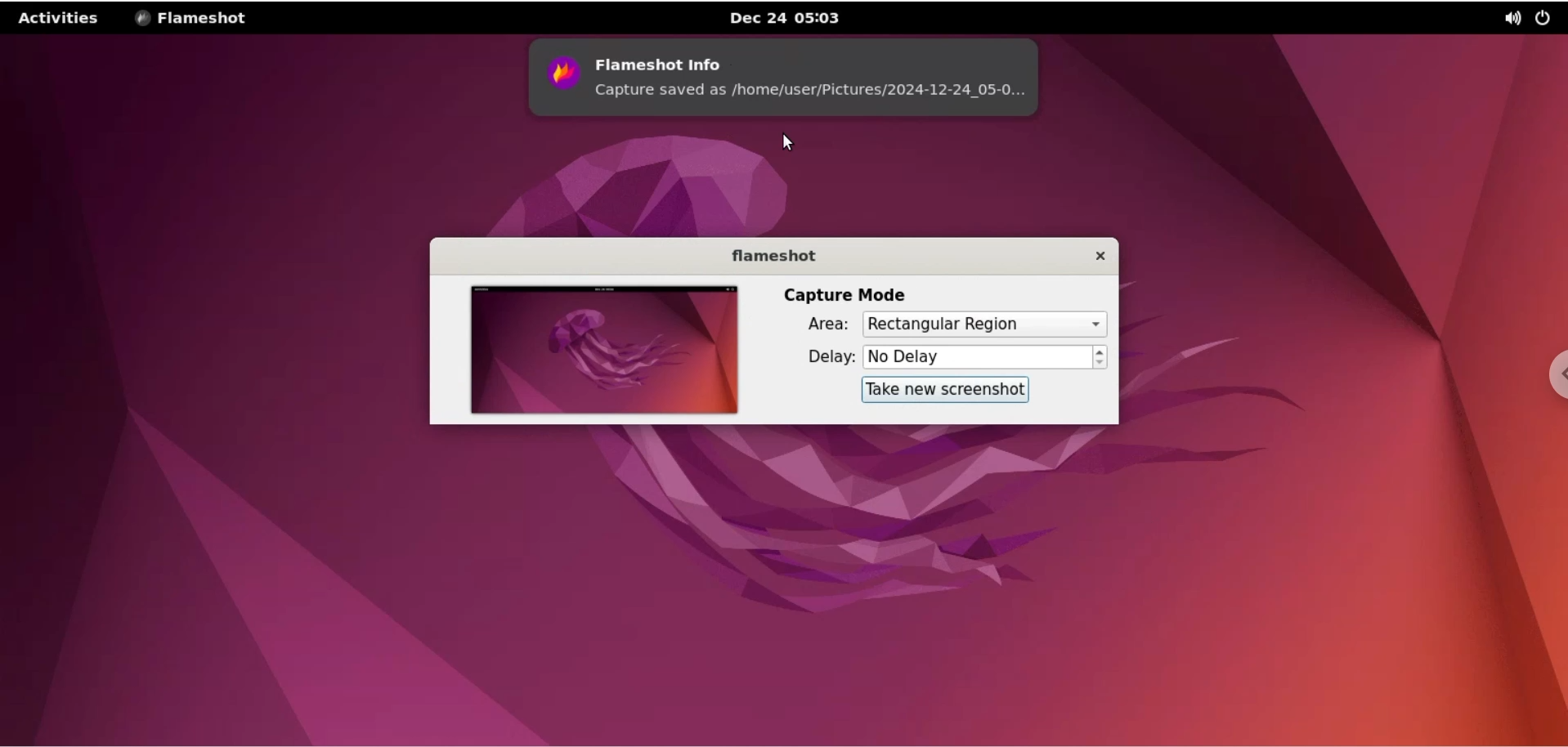 Image resolution: width=1568 pixels, height=747 pixels. Describe the element at coordinates (977, 356) in the screenshot. I see `No Delay` at that location.